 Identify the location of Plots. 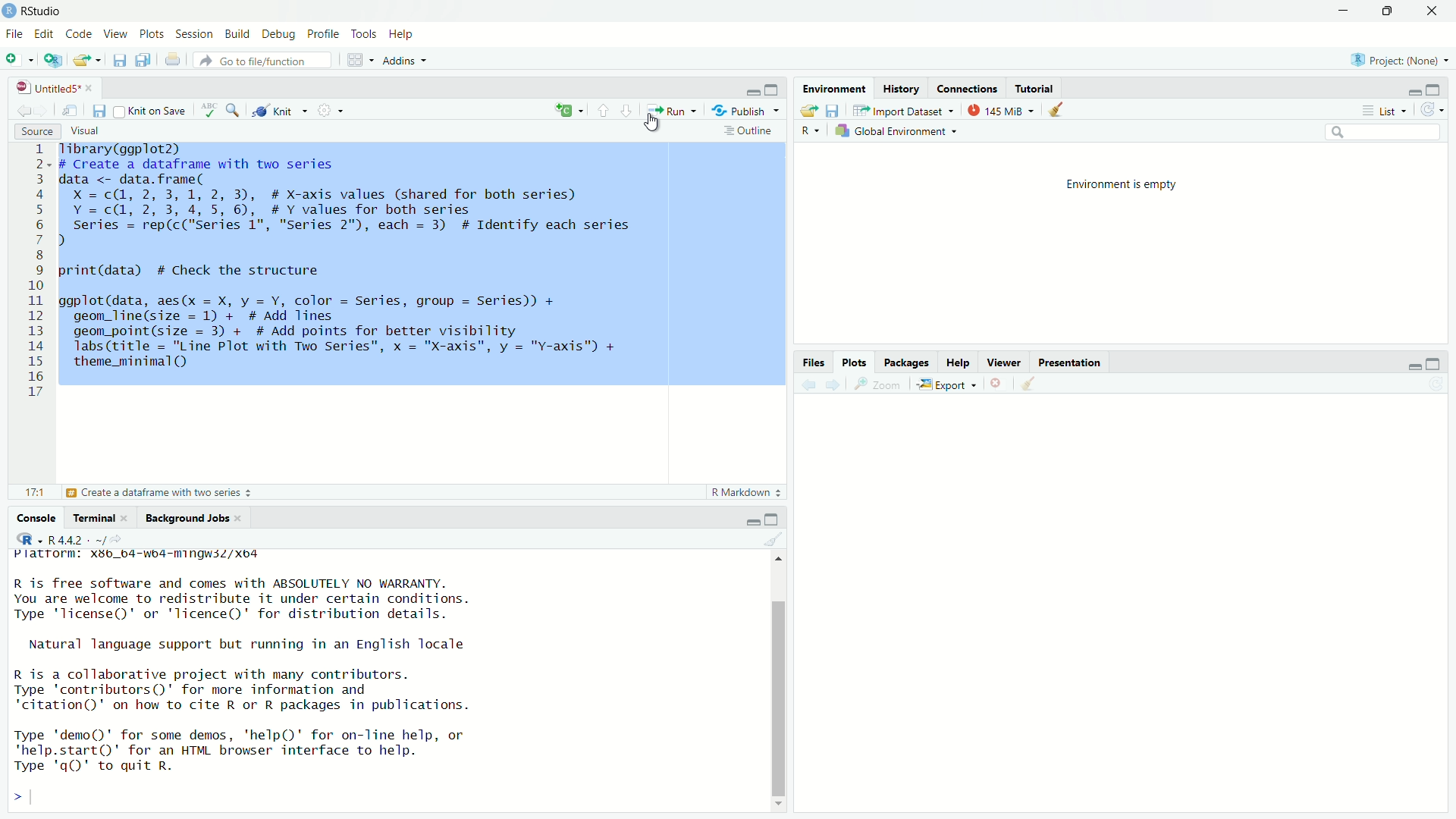
(857, 363).